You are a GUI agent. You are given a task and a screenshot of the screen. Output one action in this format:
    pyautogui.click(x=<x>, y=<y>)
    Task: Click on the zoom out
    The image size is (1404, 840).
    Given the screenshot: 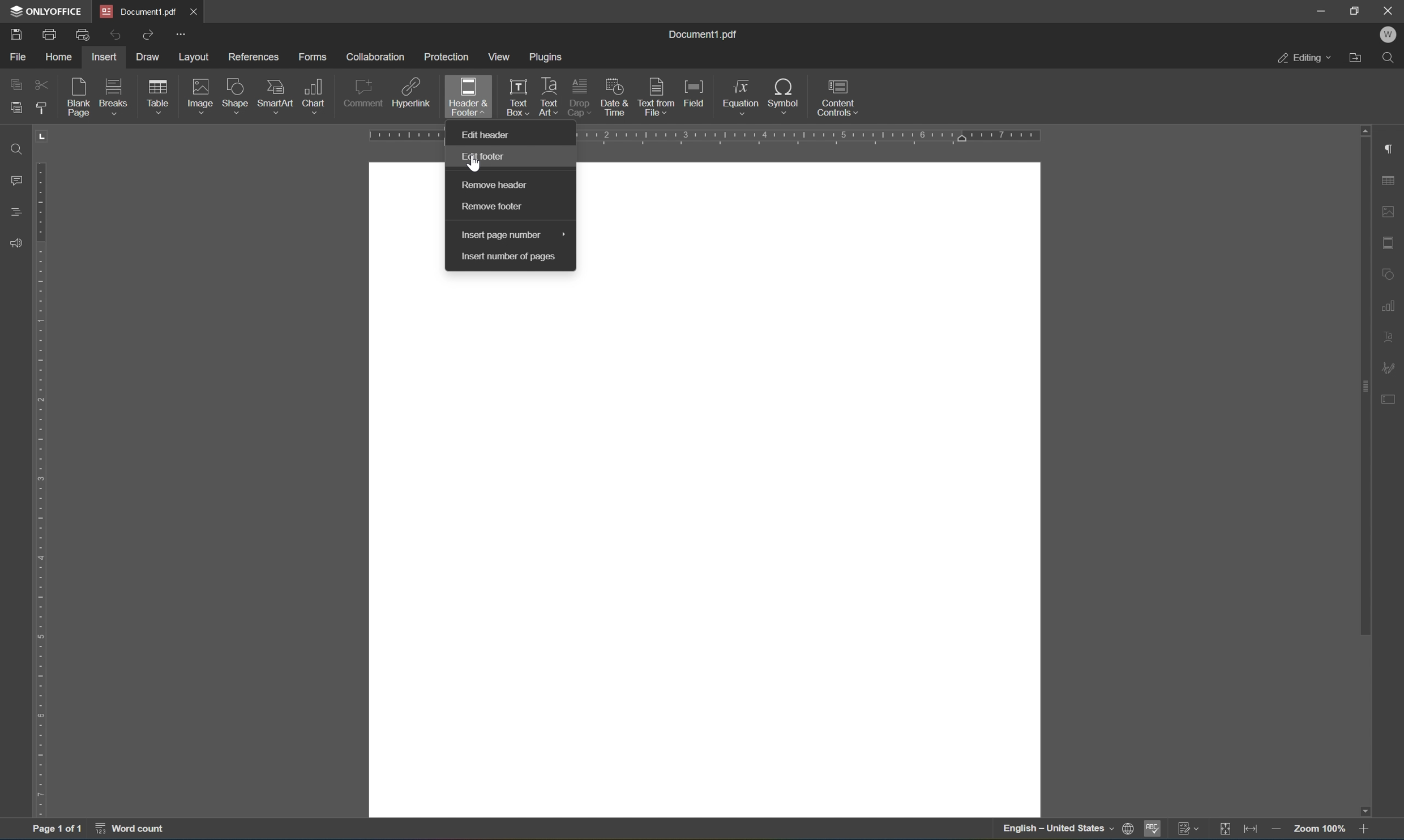 What is the action you would take?
    pyautogui.click(x=1275, y=829)
    